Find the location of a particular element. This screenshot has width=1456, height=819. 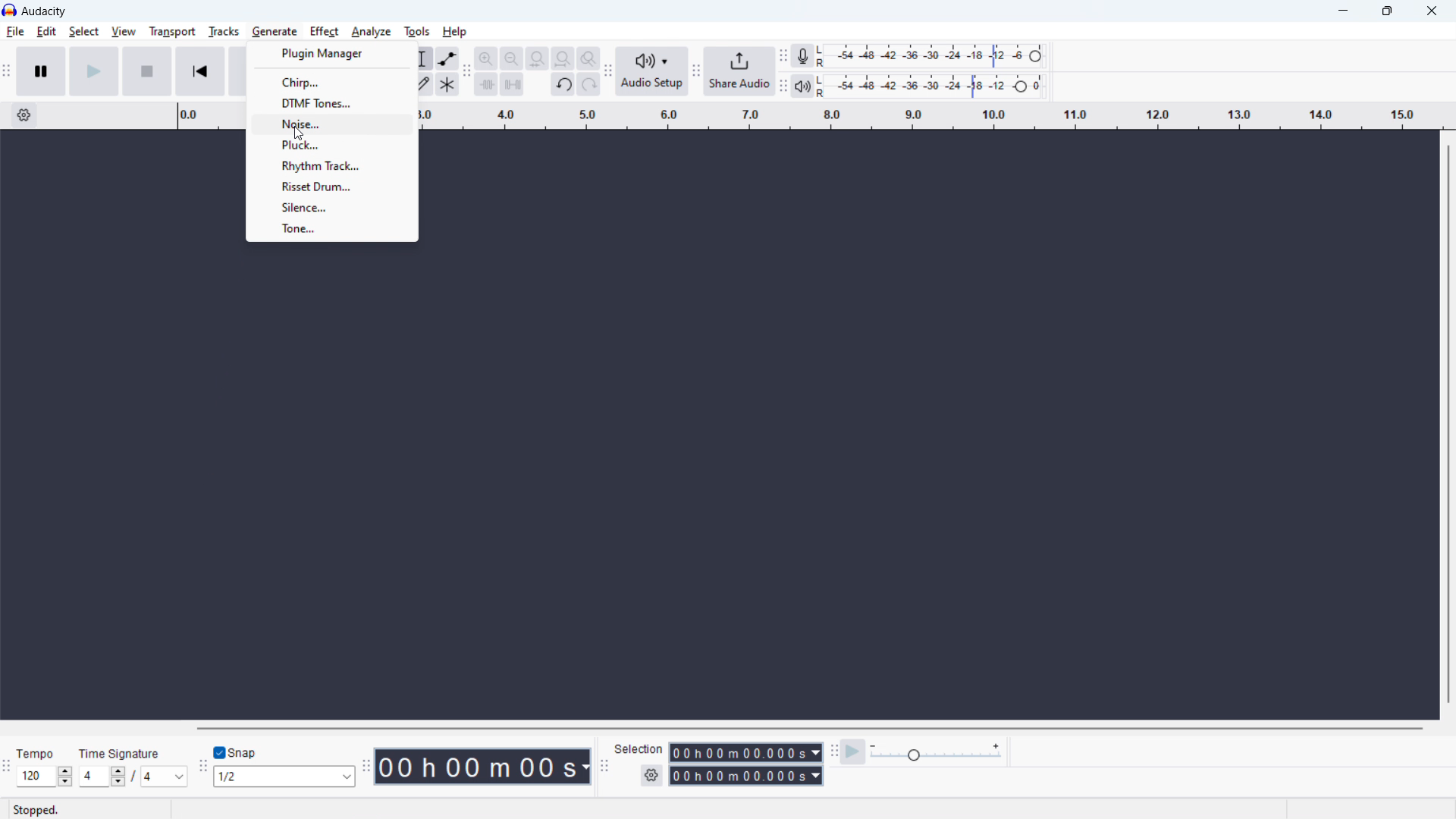

Selection is located at coordinates (640, 748).